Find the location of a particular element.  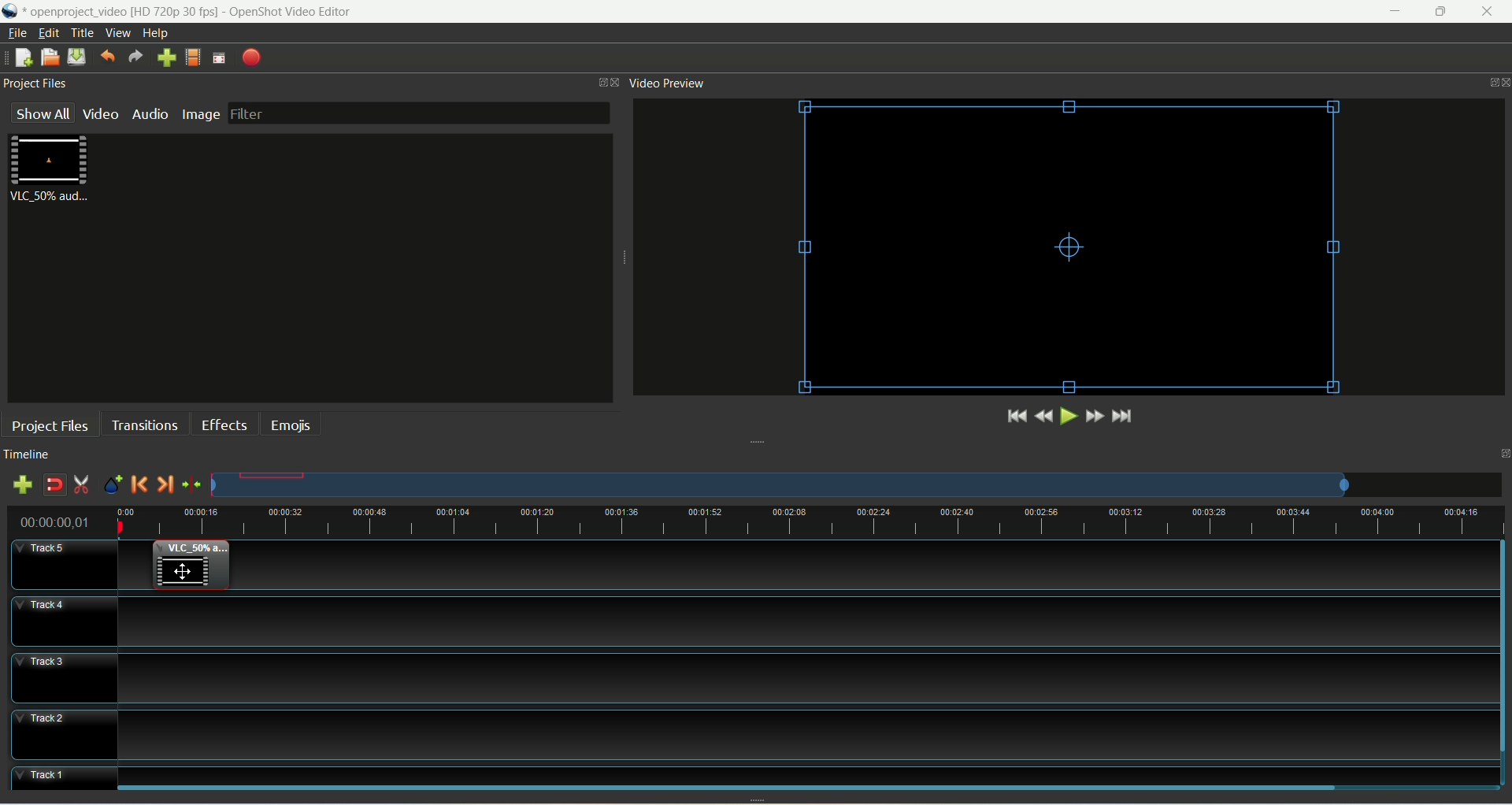

jump to start is located at coordinates (1015, 417).